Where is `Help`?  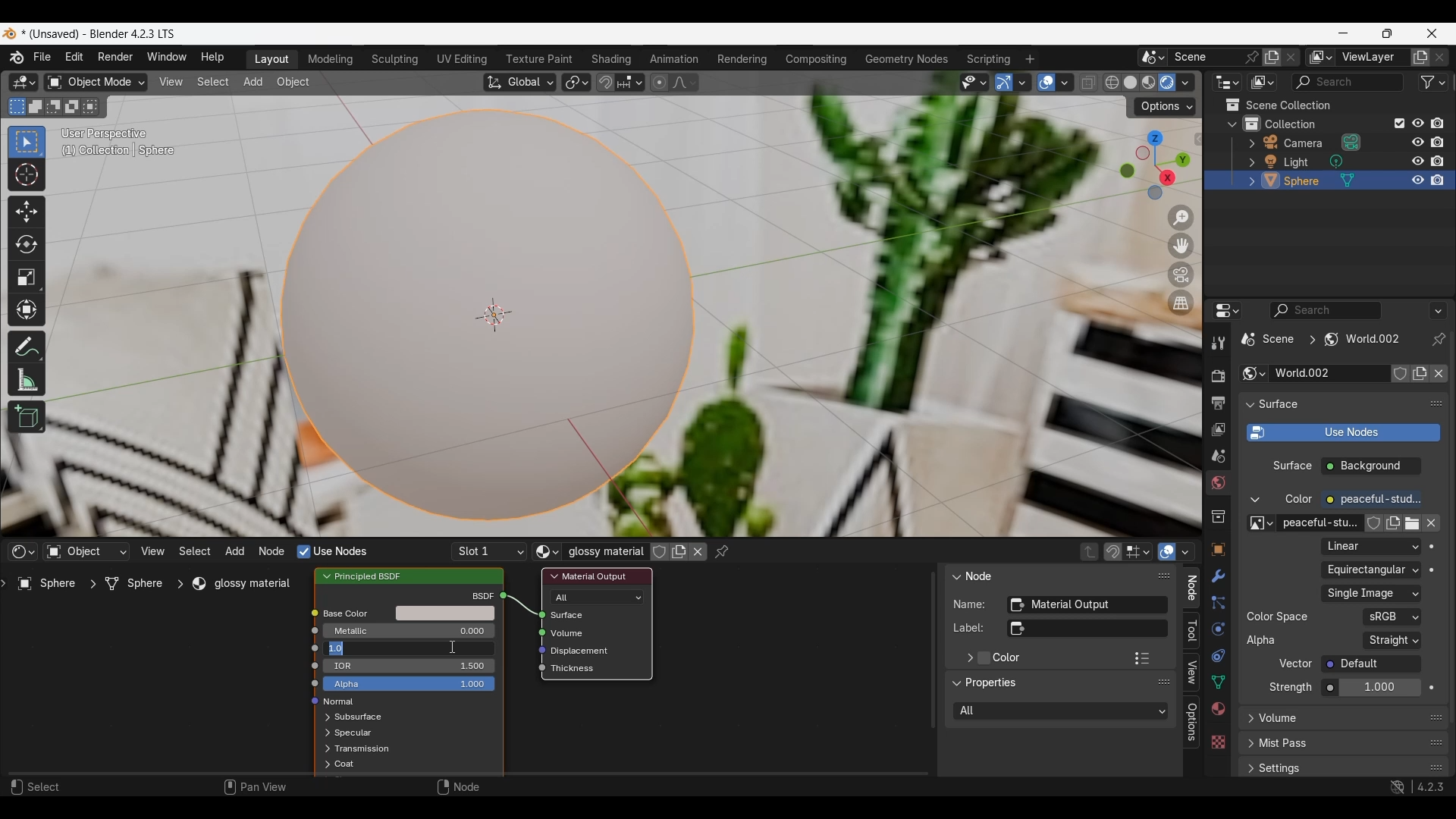
Help is located at coordinates (213, 58).